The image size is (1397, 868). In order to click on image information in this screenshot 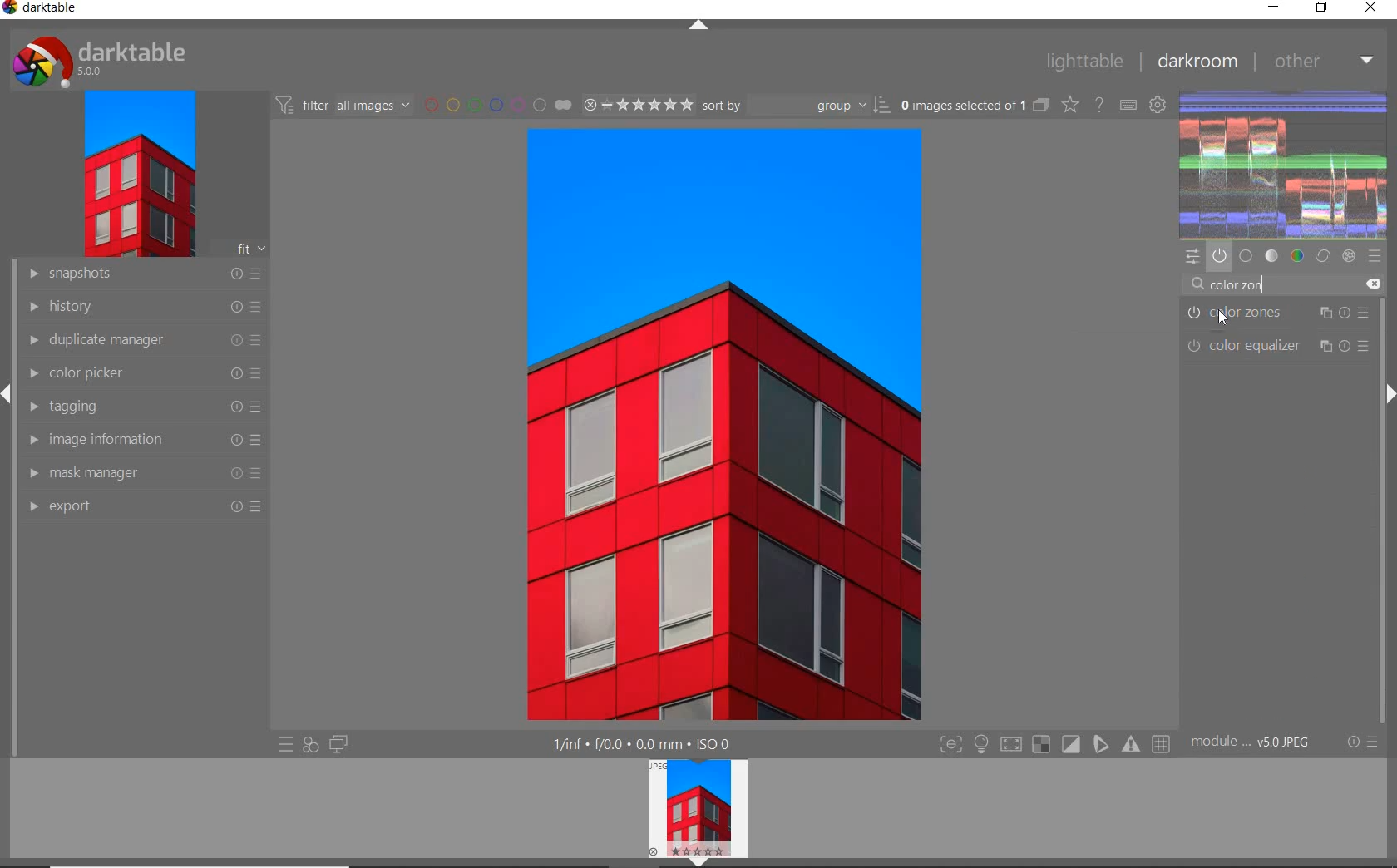, I will do `click(142, 441)`.